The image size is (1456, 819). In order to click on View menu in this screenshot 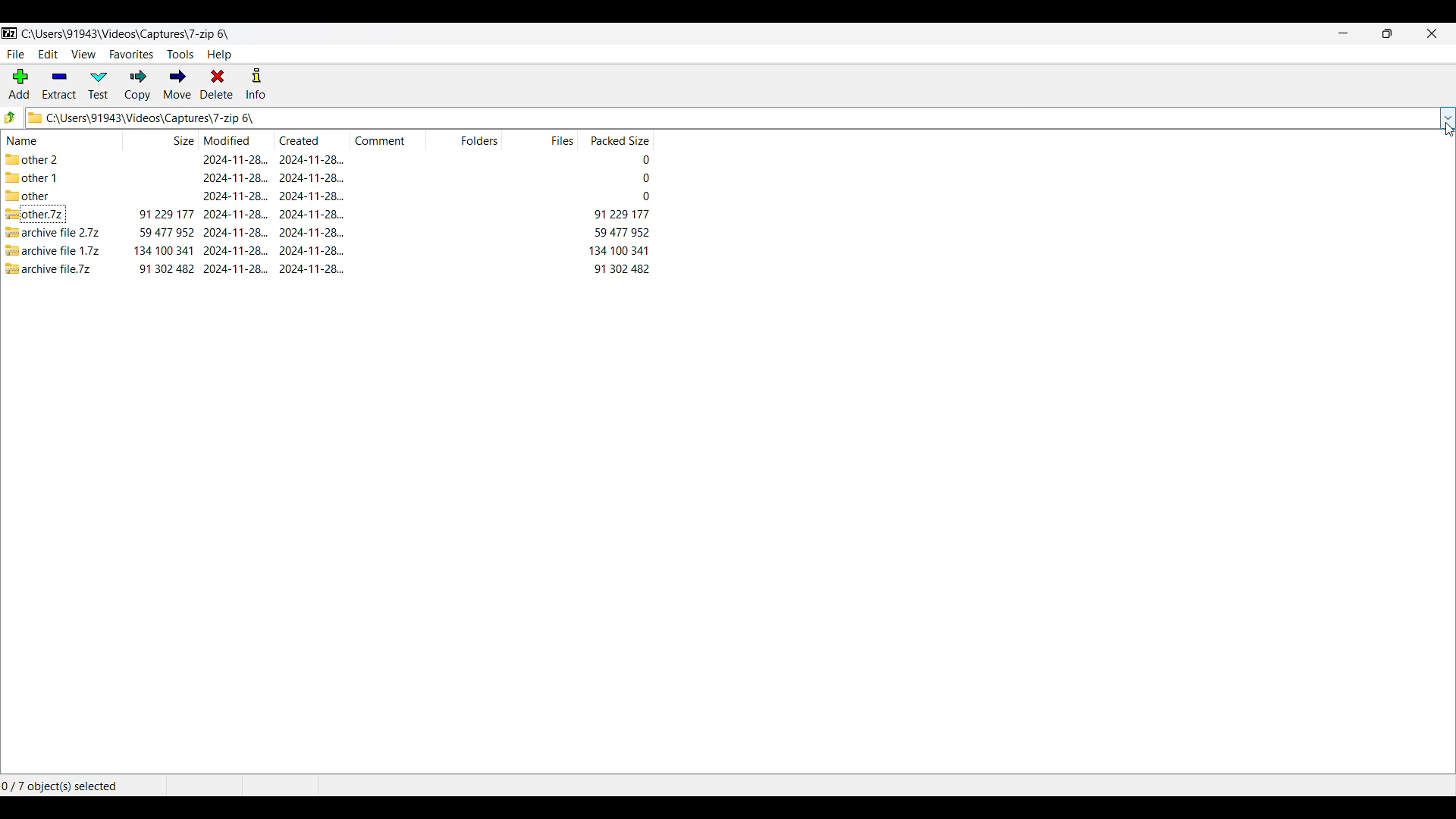, I will do `click(84, 55)`.